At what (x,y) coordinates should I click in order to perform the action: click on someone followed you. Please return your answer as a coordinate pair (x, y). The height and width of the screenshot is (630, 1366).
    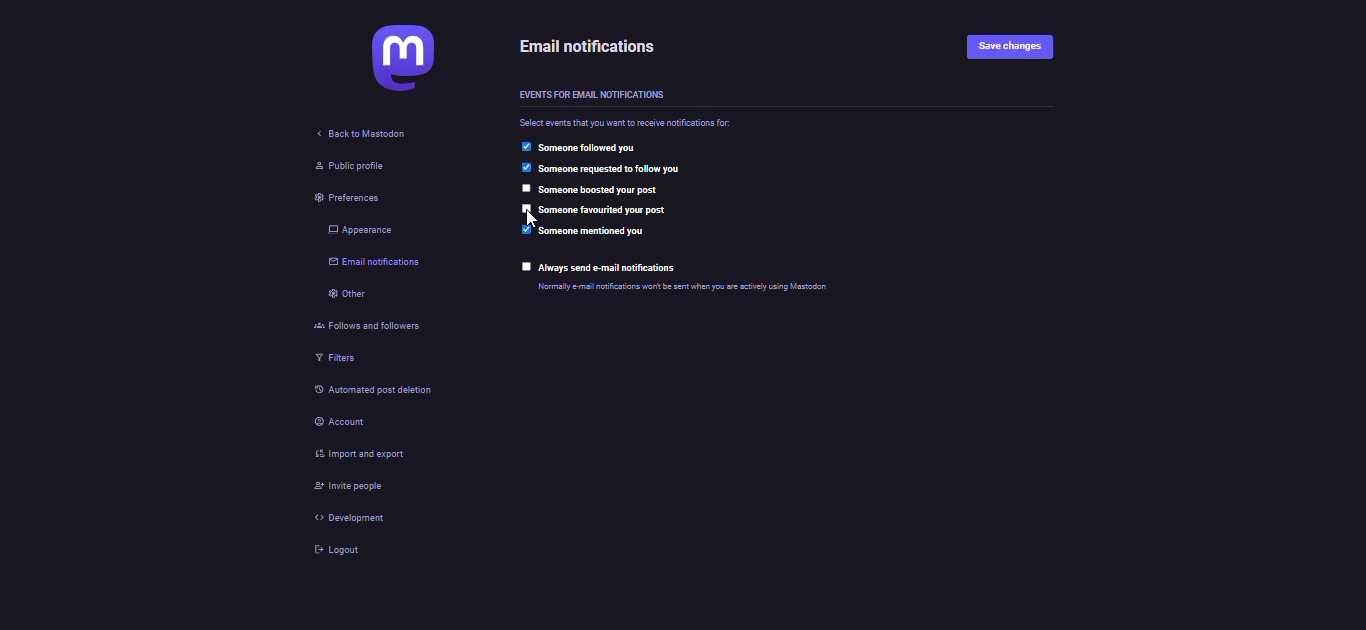
    Looking at the image, I should click on (592, 147).